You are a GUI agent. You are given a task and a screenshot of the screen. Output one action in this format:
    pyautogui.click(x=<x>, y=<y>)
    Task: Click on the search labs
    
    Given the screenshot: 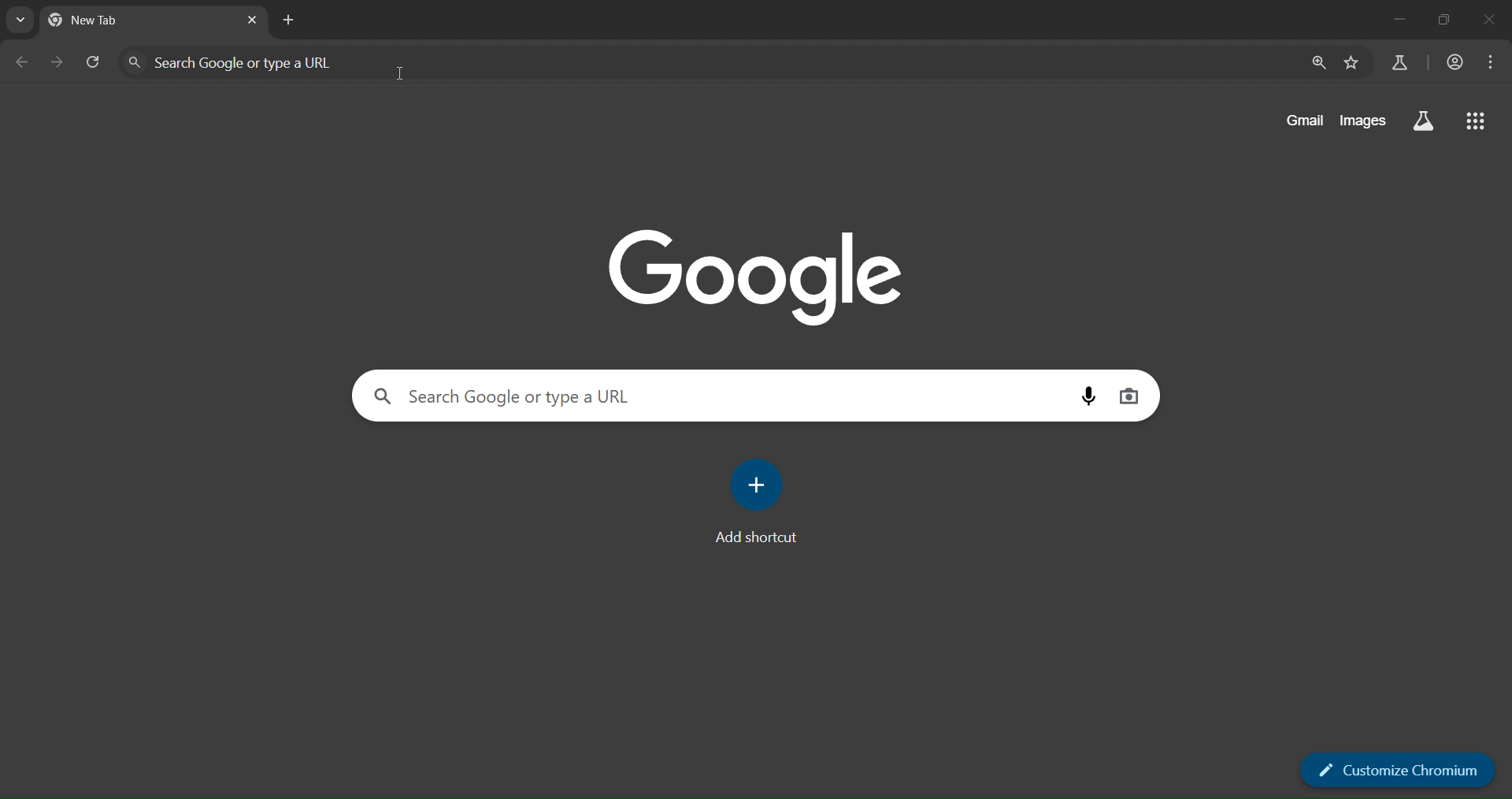 What is the action you would take?
    pyautogui.click(x=1424, y=120)
    